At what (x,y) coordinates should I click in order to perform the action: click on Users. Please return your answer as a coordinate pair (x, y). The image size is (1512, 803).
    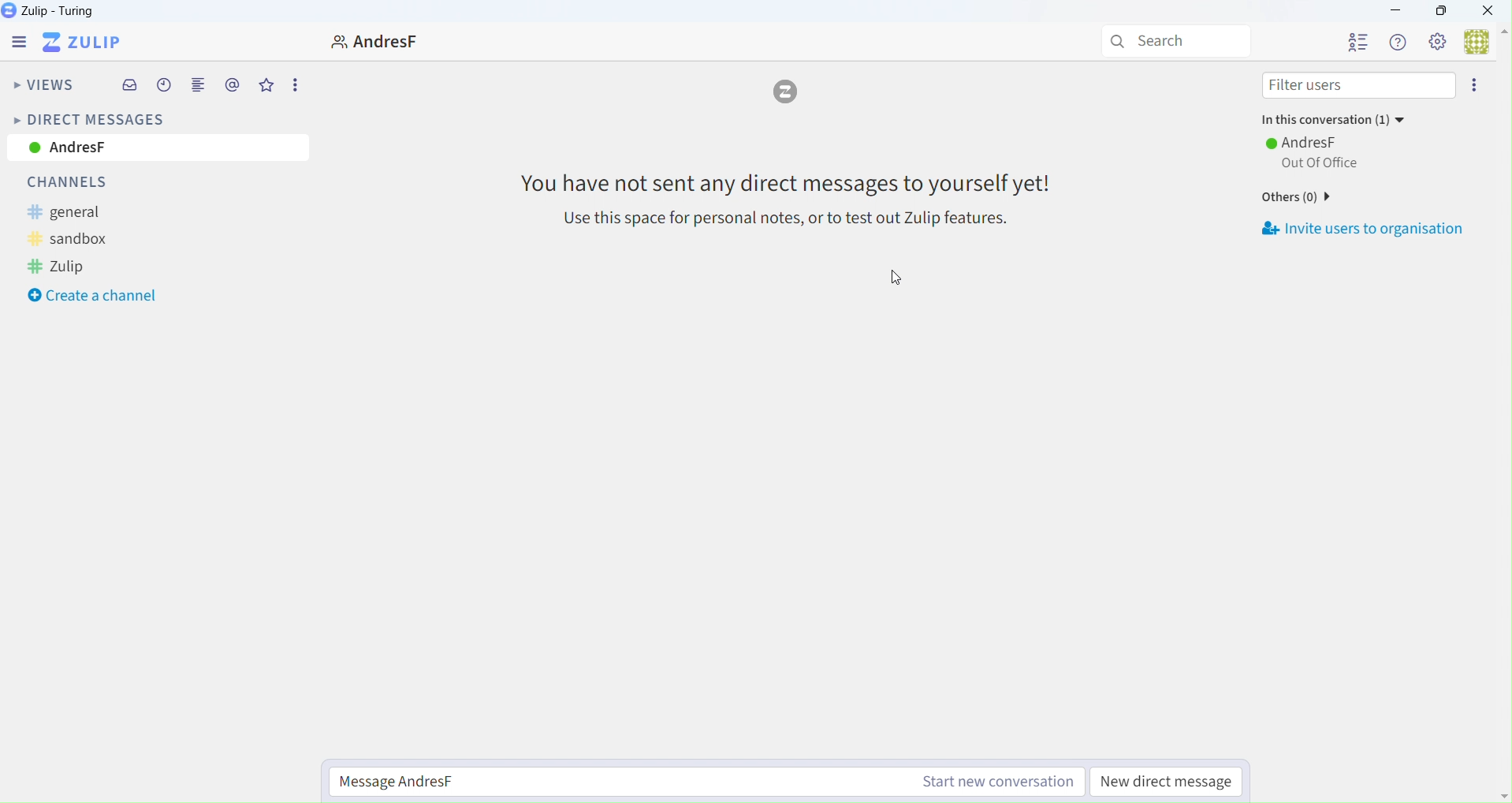
    Looking at the image, I should click on (1358, 43).